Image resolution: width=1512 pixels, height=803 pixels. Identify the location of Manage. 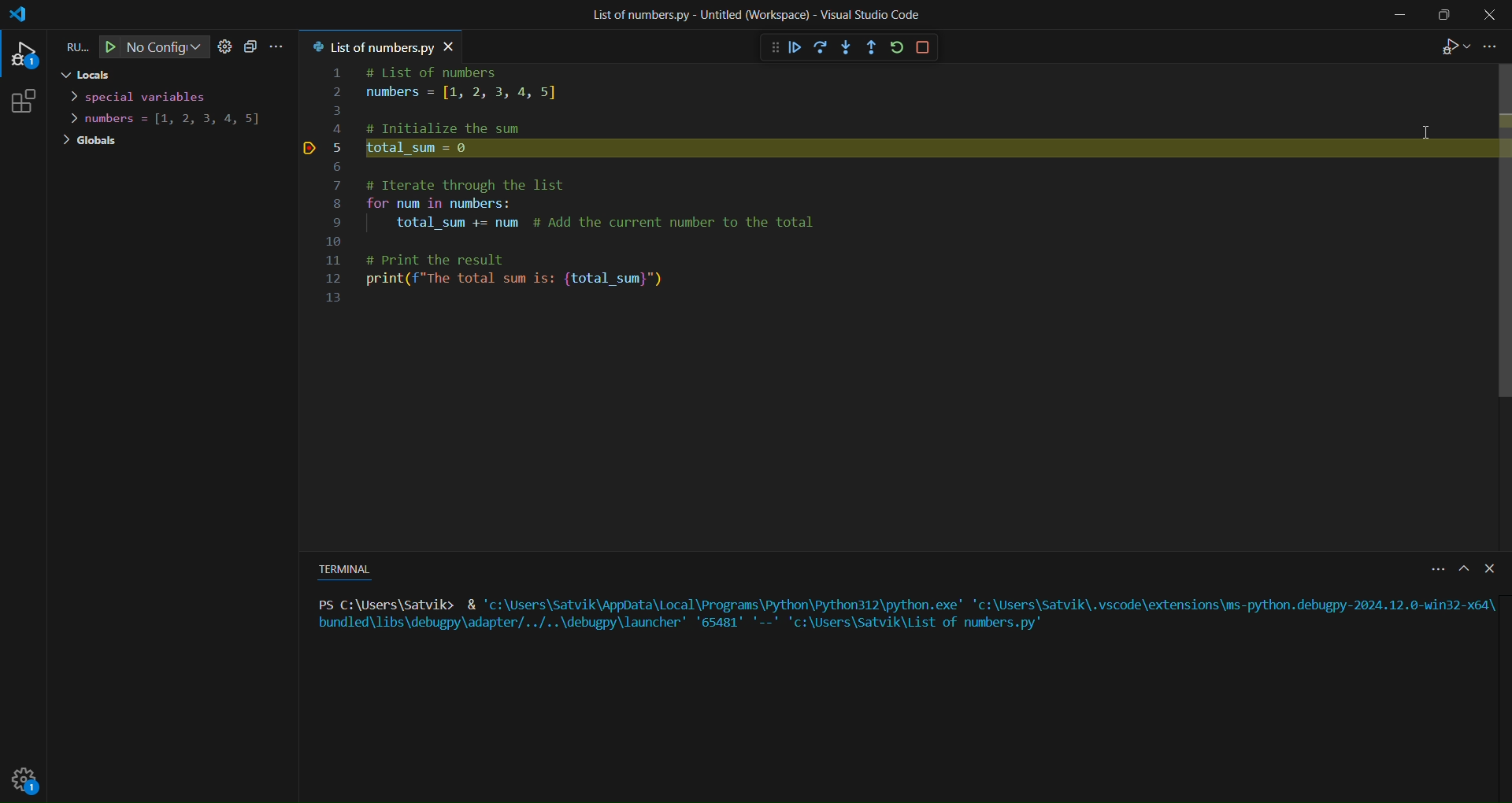
(30, 782).